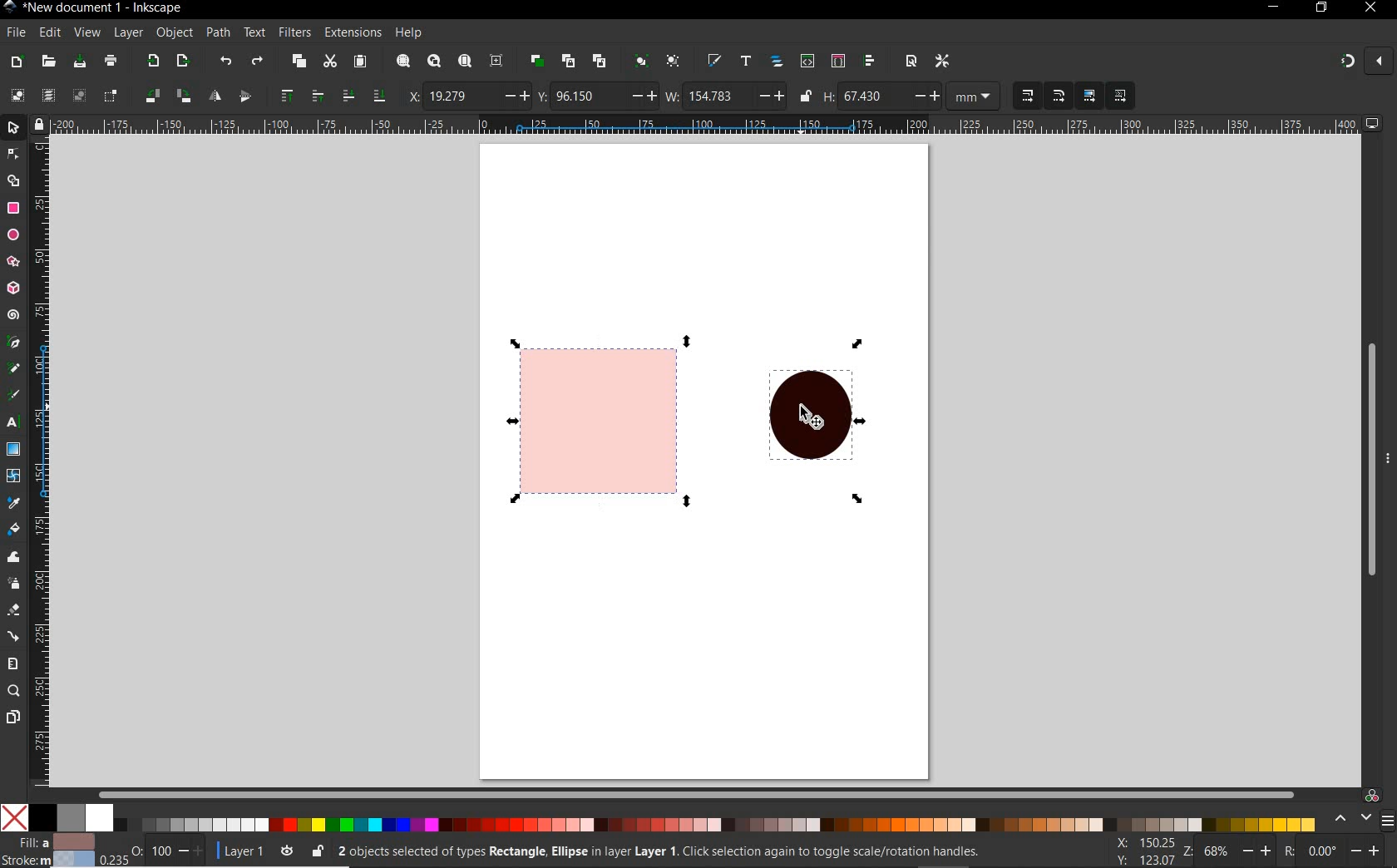 The image size is (1397, 868). Describe the element at coordinates (13, 314) in the screenshot. I see `spiral tool` at that location.